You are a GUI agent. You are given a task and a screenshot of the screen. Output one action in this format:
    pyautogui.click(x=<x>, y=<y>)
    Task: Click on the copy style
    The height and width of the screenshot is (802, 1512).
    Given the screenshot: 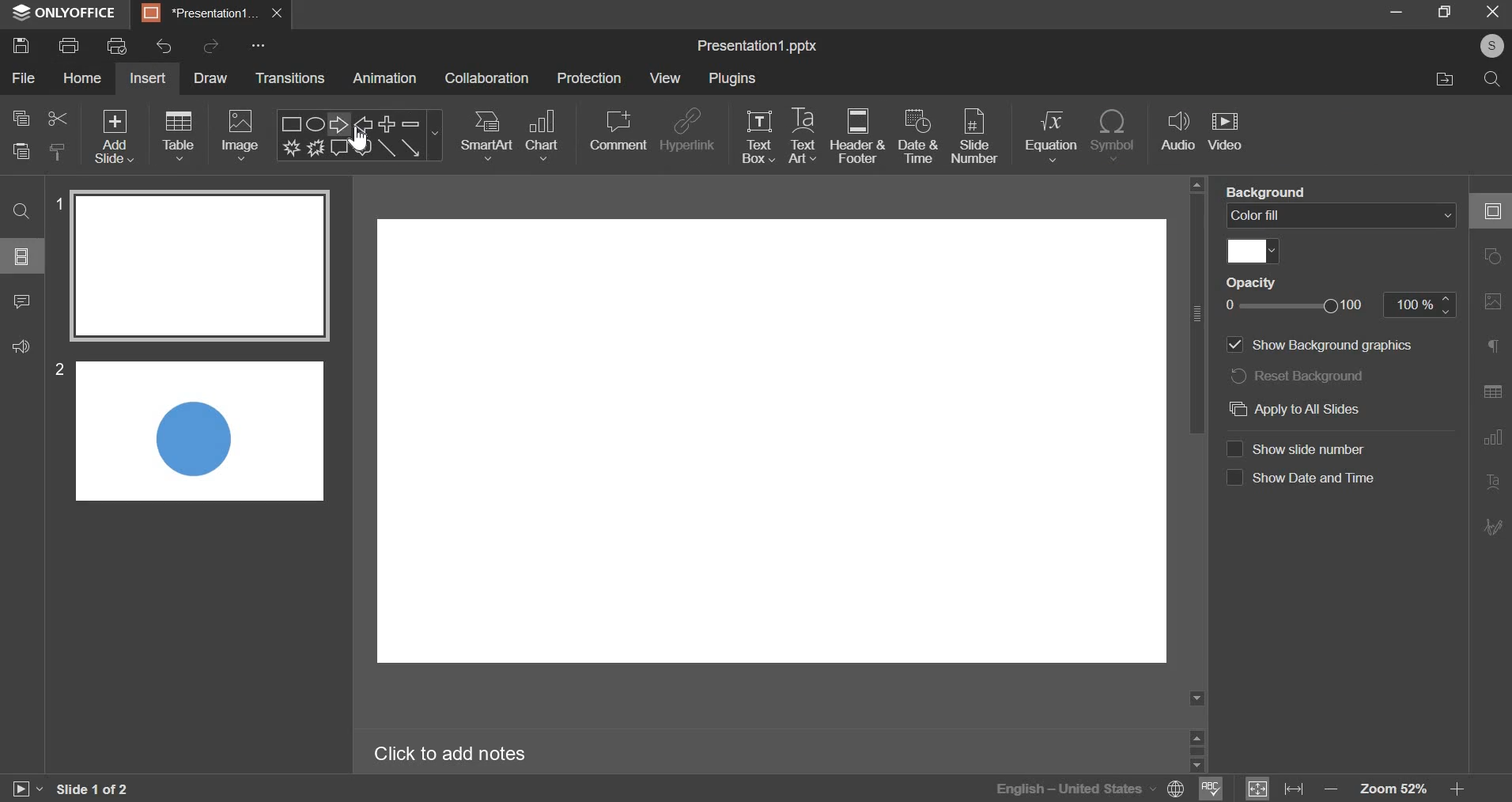 What is the action you would take?
    pyautogui.click(x=58, y=151)
    